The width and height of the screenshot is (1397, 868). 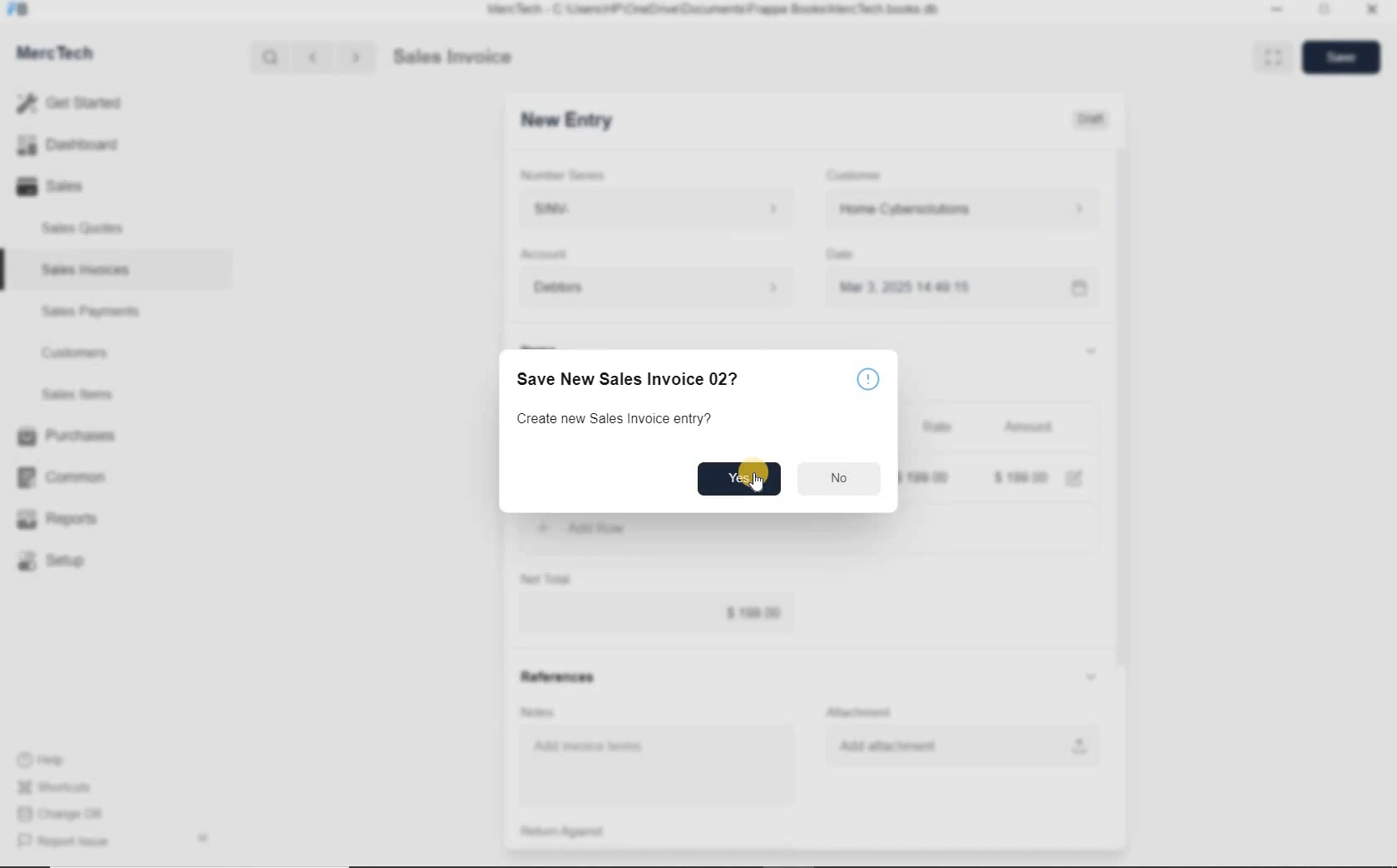 I want to click on Maximum, so click(x=1325, y=12).